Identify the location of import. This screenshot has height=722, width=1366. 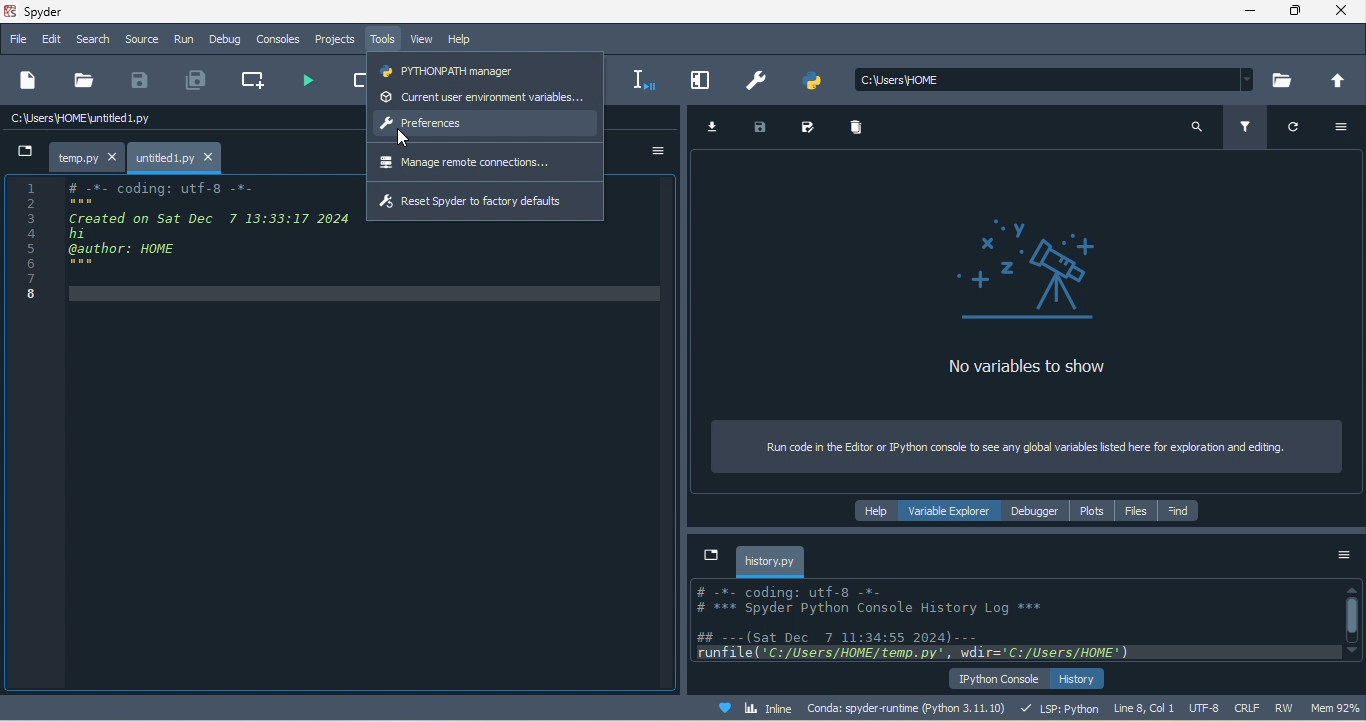
(717, 128).